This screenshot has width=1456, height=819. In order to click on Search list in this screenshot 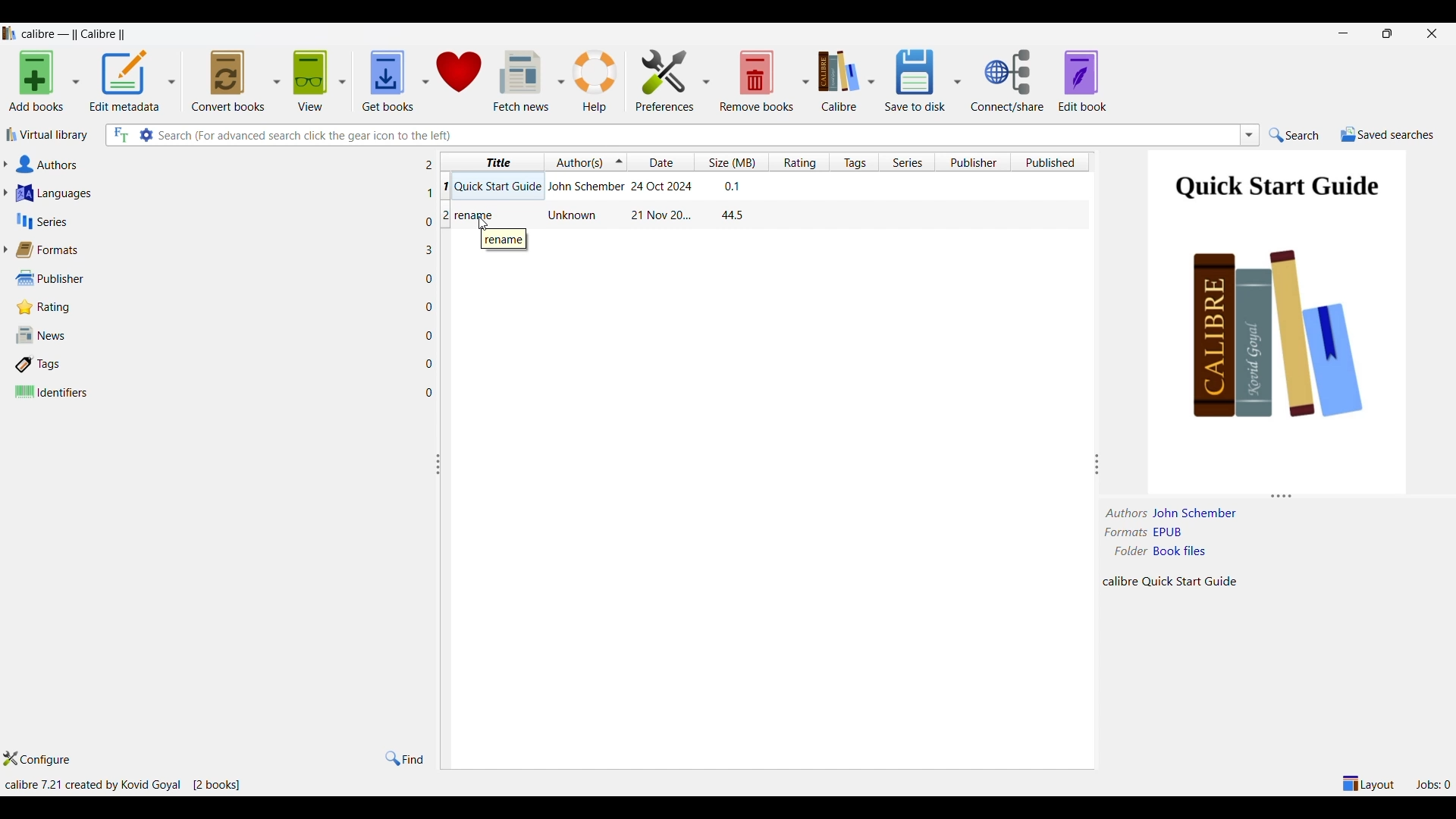, I will do `click(1250, 135)`.